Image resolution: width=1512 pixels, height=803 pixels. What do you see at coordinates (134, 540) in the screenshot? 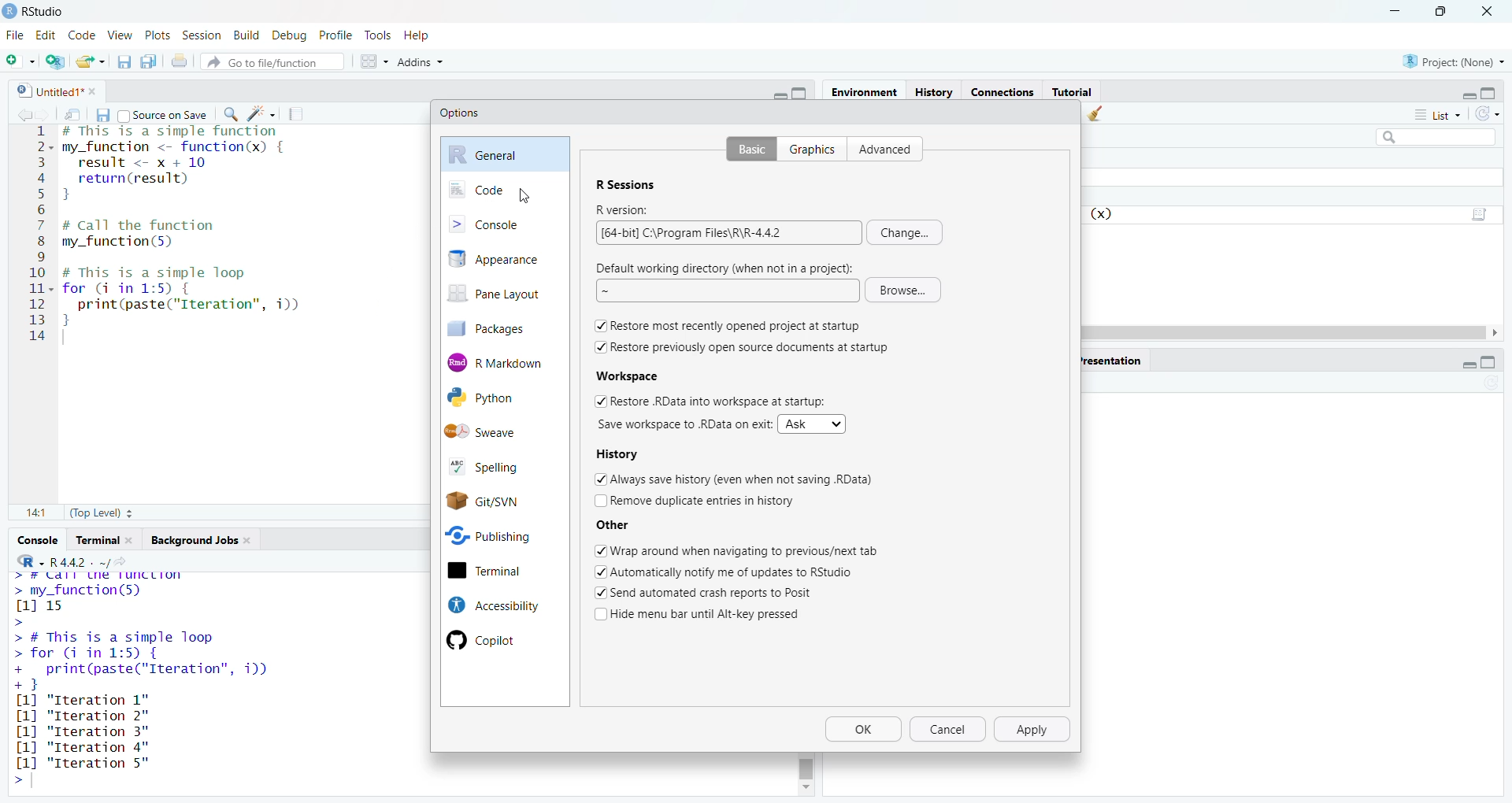
I see `close ` at bounding box center [134, 540].